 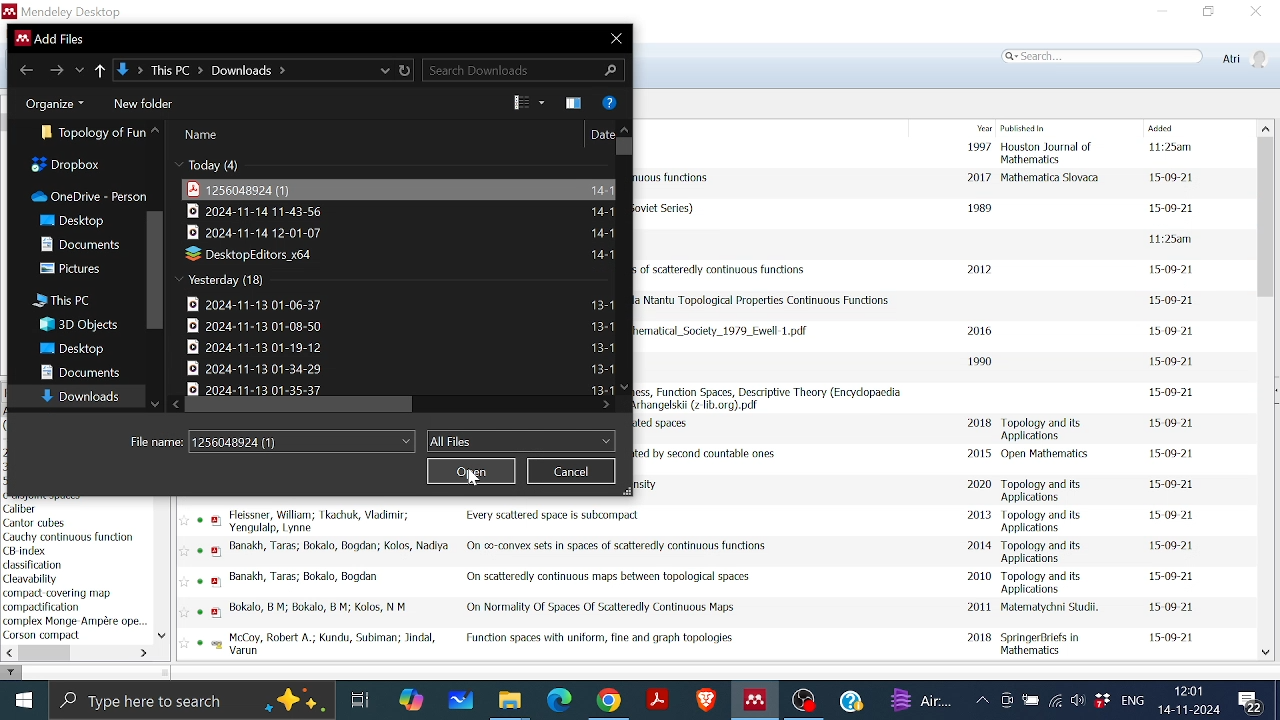 I want to click on Files, so click(x=511, y=700).